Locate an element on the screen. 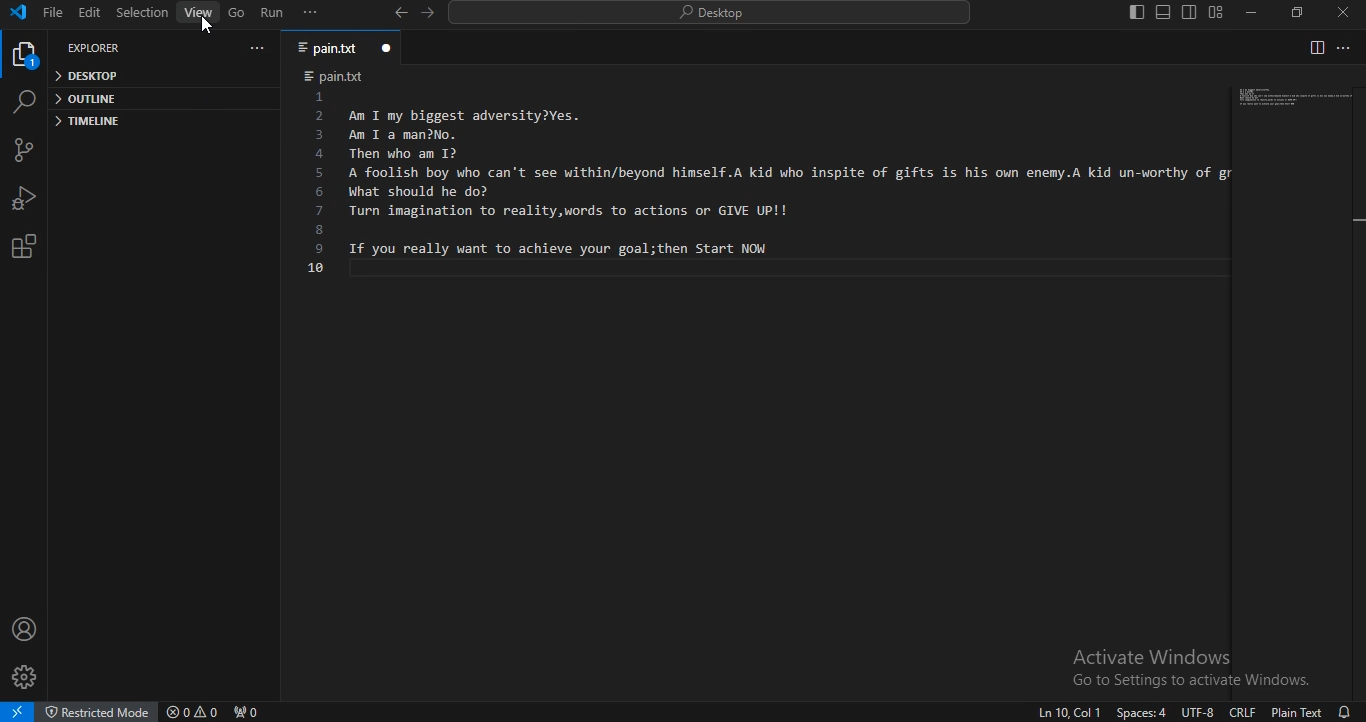 The image size is (1366, 722). ... is located at coordinates (1345, 49).